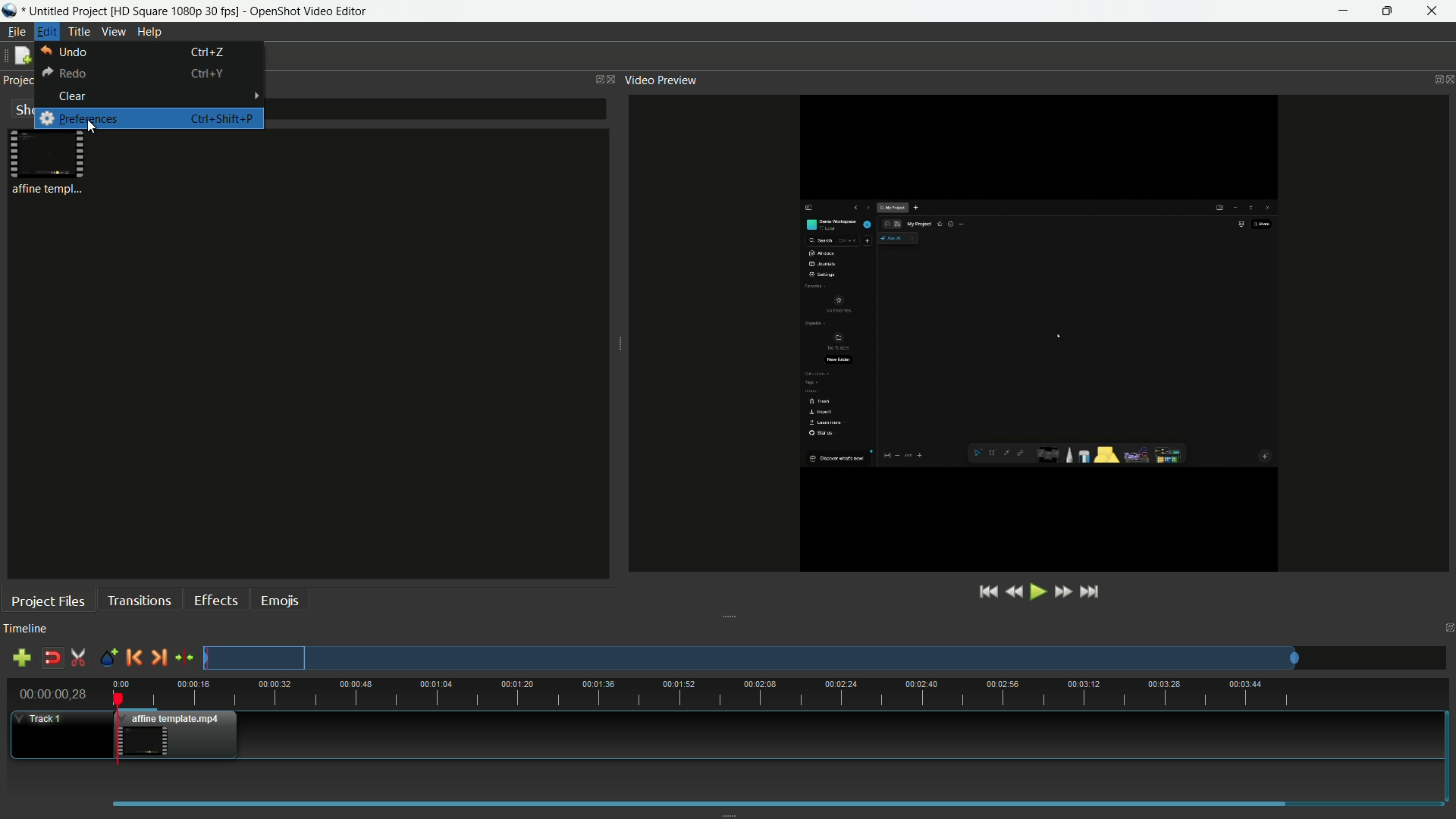 Image resolution: width=1456 pixels, height=819 pixels. What do you see at coordinates (114, 32) in the screenshot?
I see `view menu` at bounding box center [114, 32].